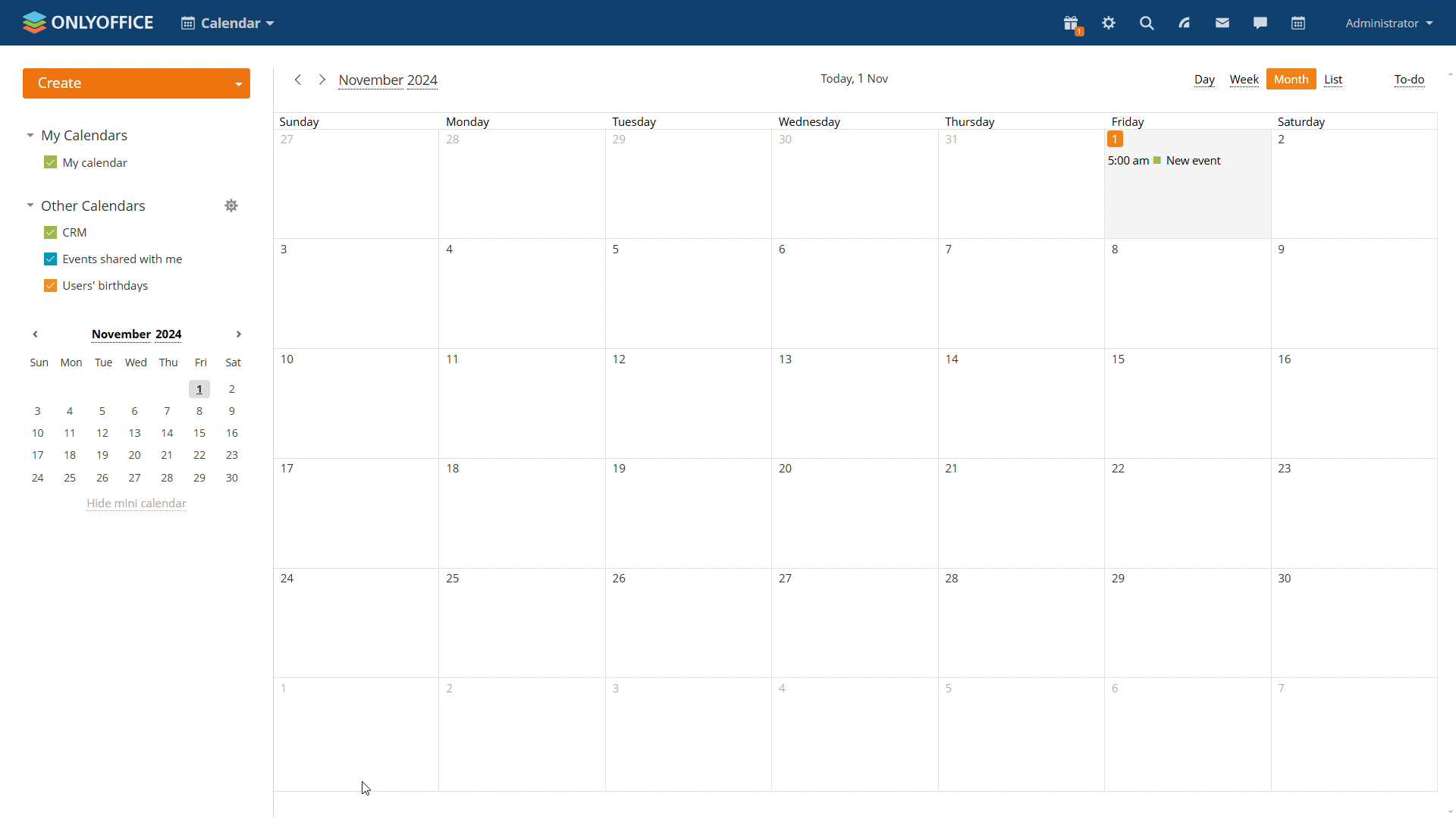  I want to click on scroll up, so click(1449, 73).